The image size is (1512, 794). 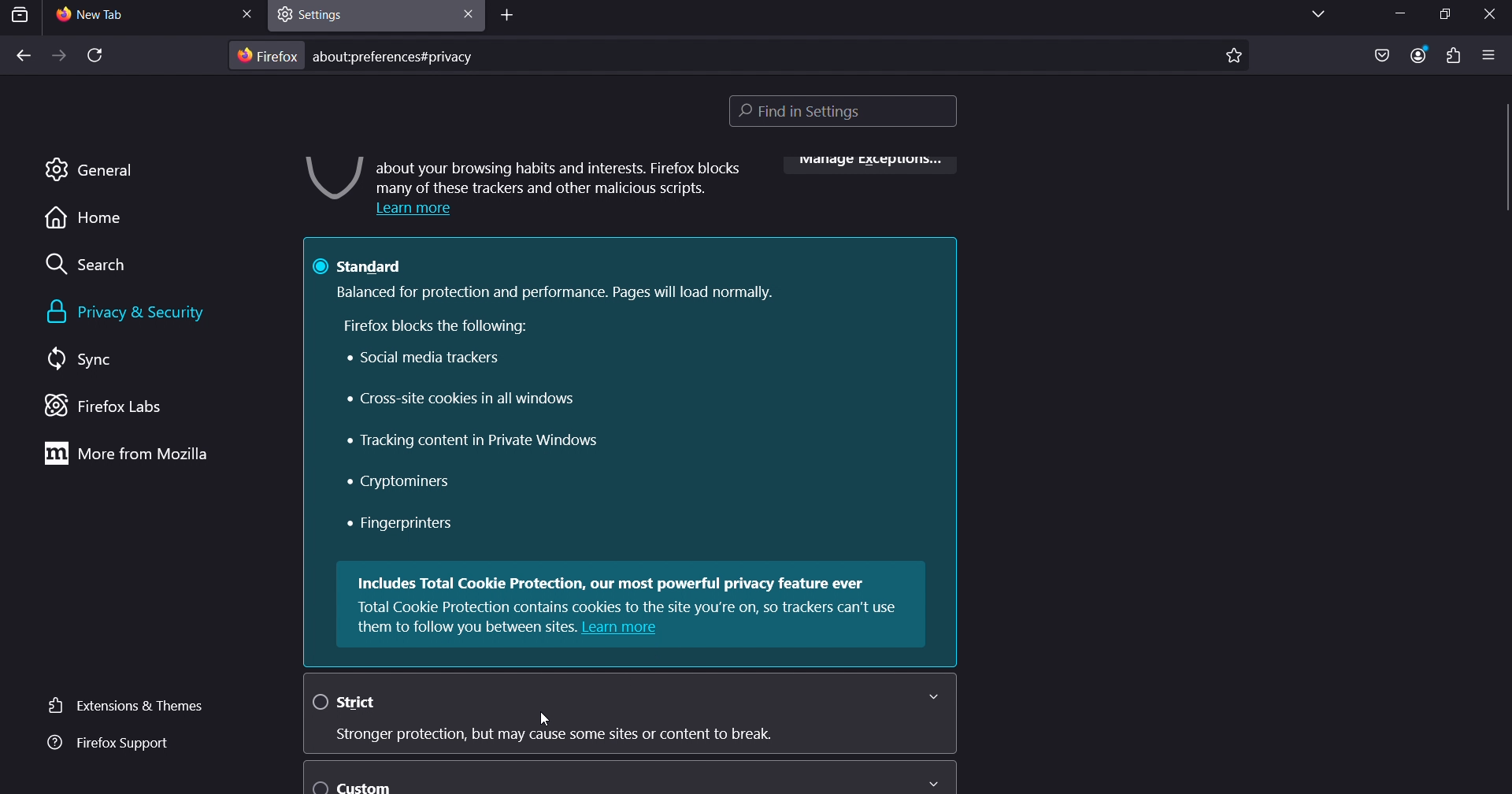 I want to click on restore down, so click(x=1438, y=14).